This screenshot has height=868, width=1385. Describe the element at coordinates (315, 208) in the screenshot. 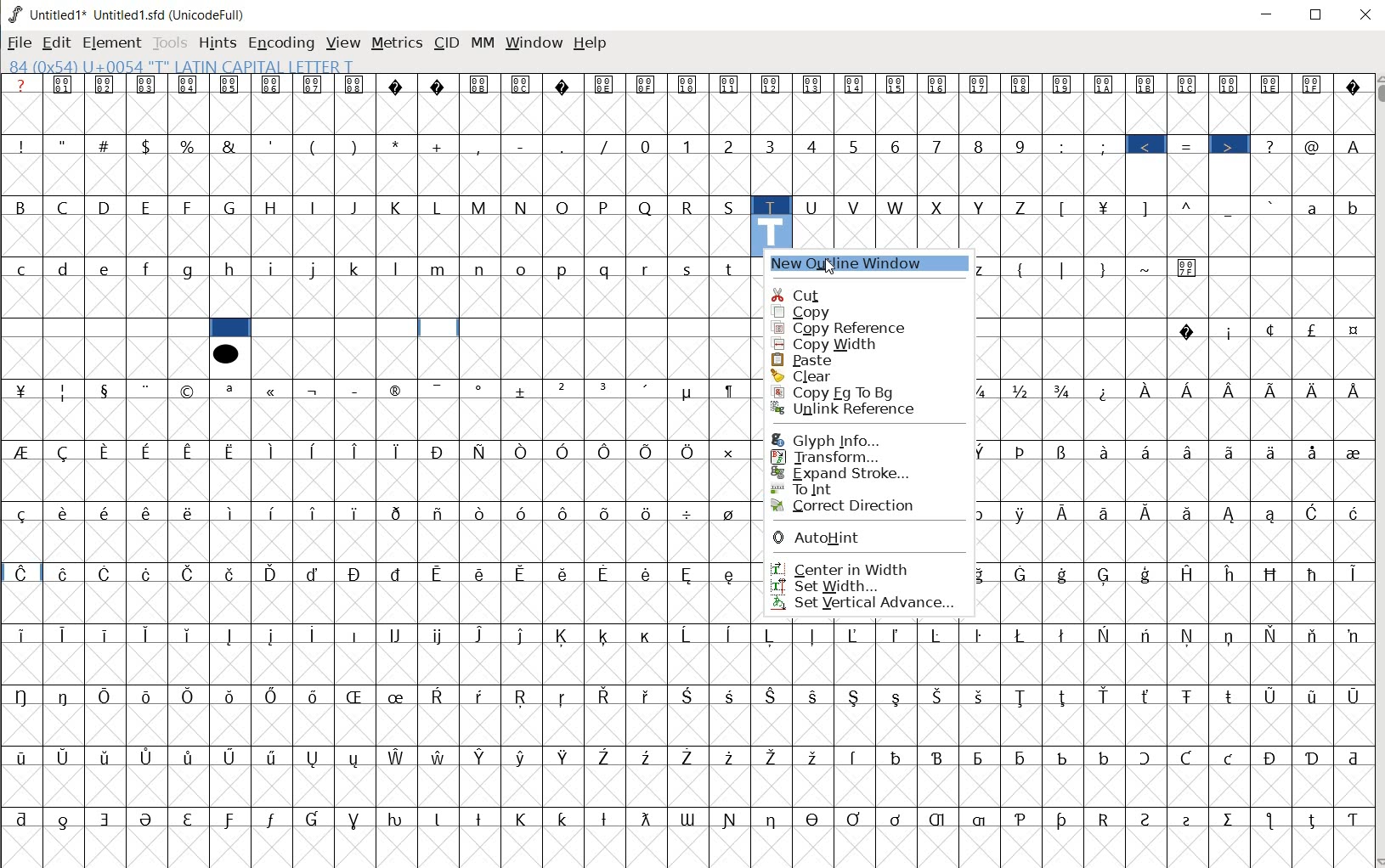

I see `I` at that location.